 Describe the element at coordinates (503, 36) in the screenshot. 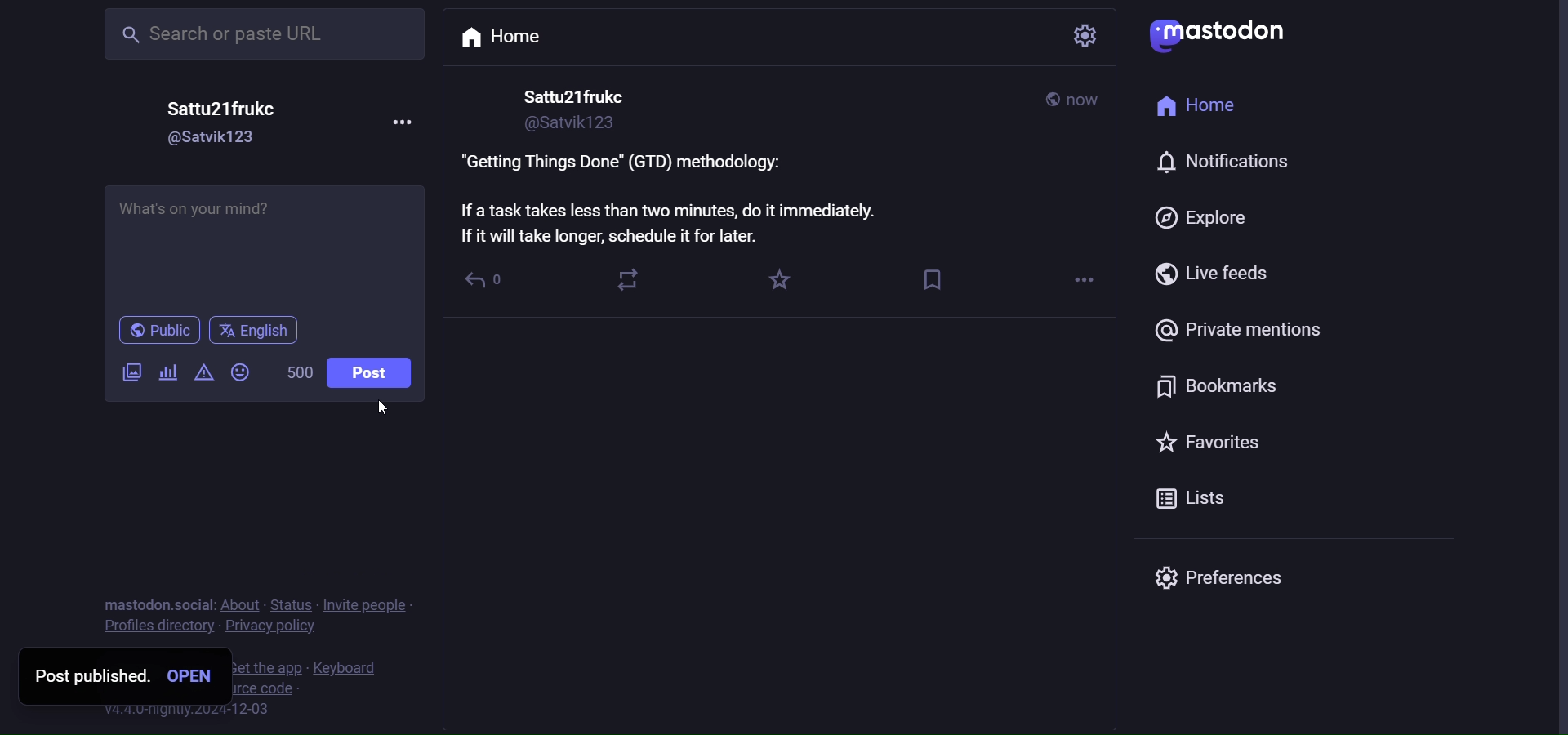

I see `home` at that location.